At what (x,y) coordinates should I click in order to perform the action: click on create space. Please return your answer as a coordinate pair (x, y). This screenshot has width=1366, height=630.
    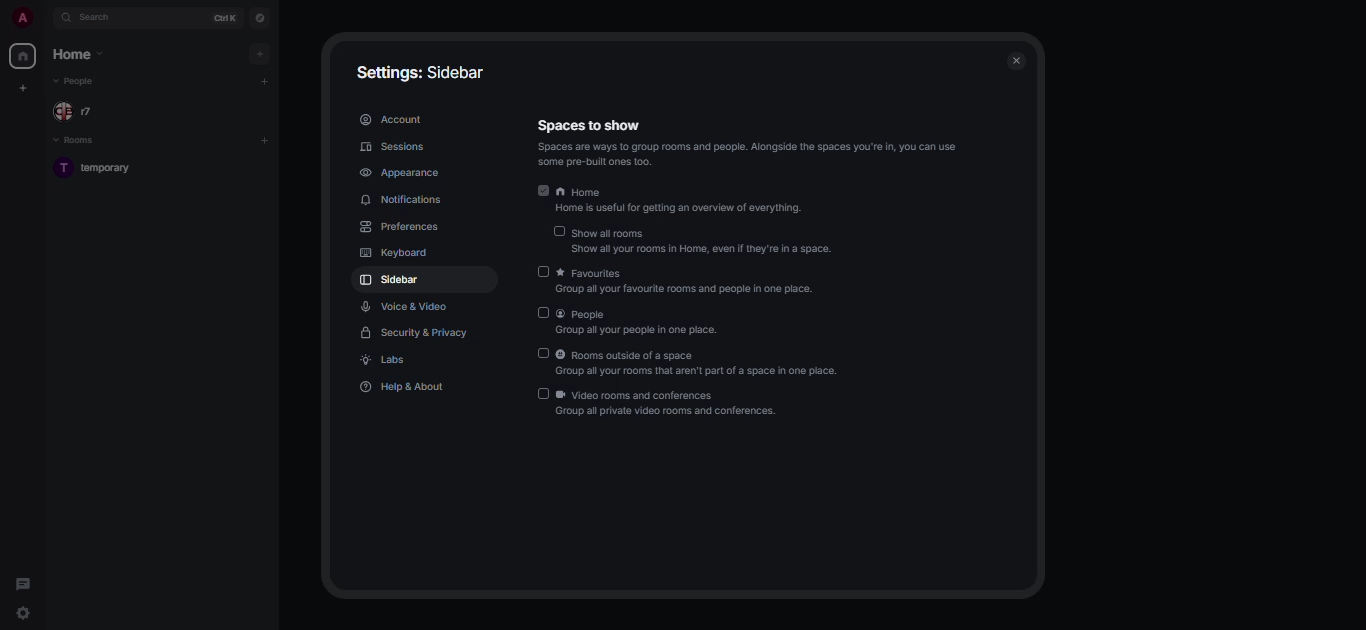
    Looking at the image, I should click on (22, 88).